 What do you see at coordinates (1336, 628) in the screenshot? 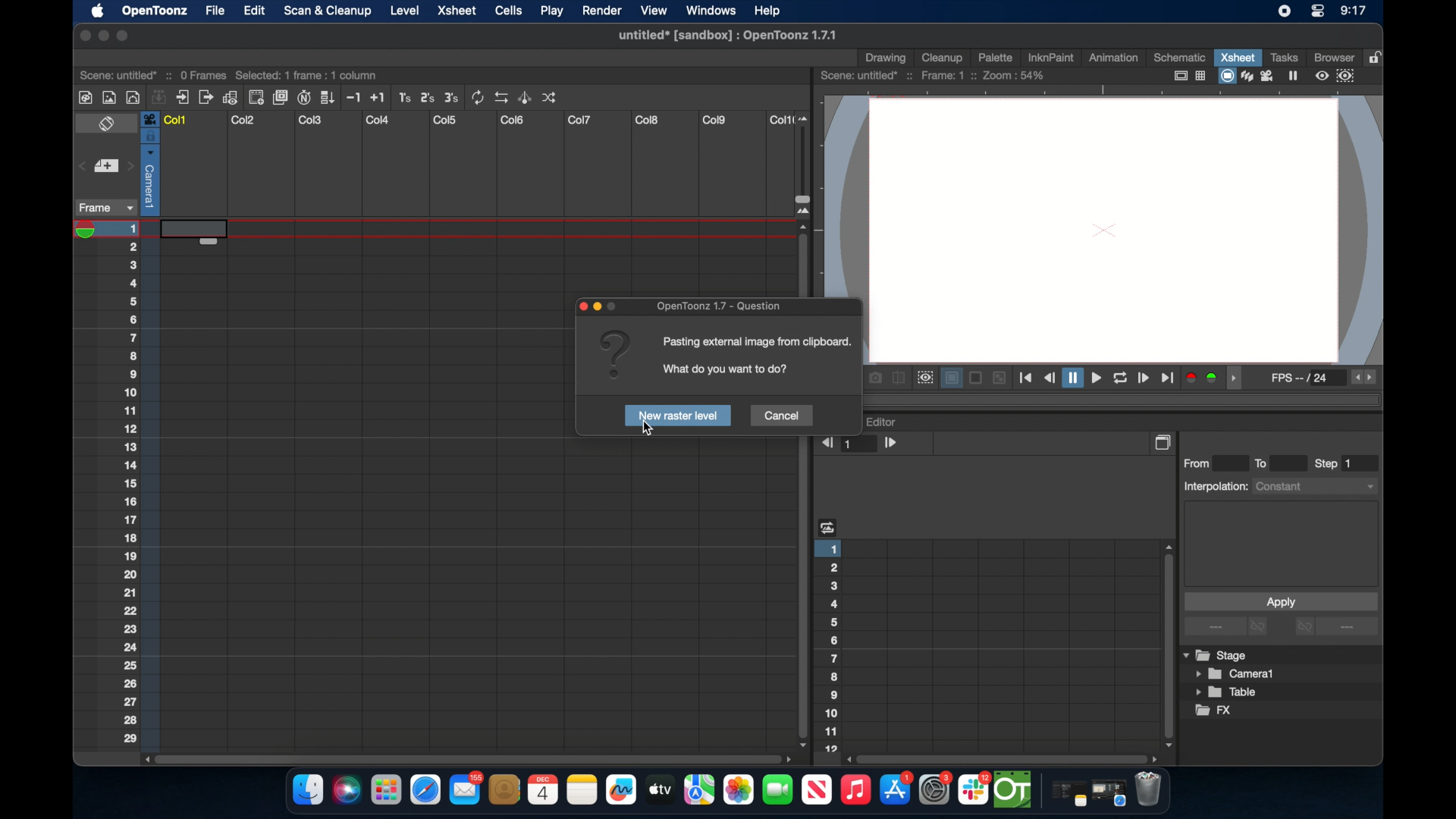
I see `more options` at bounding box center [1336, 628].